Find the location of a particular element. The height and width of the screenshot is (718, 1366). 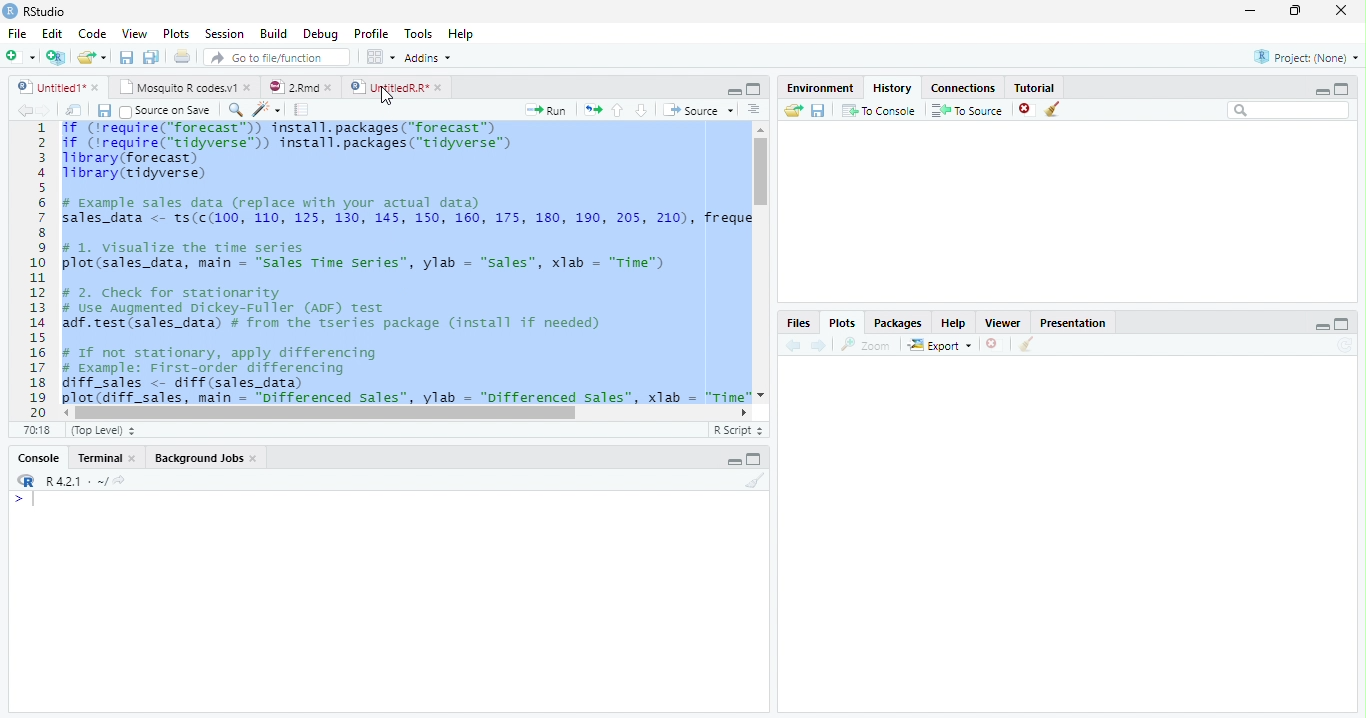

Tools is located at coordinates (417, 33).